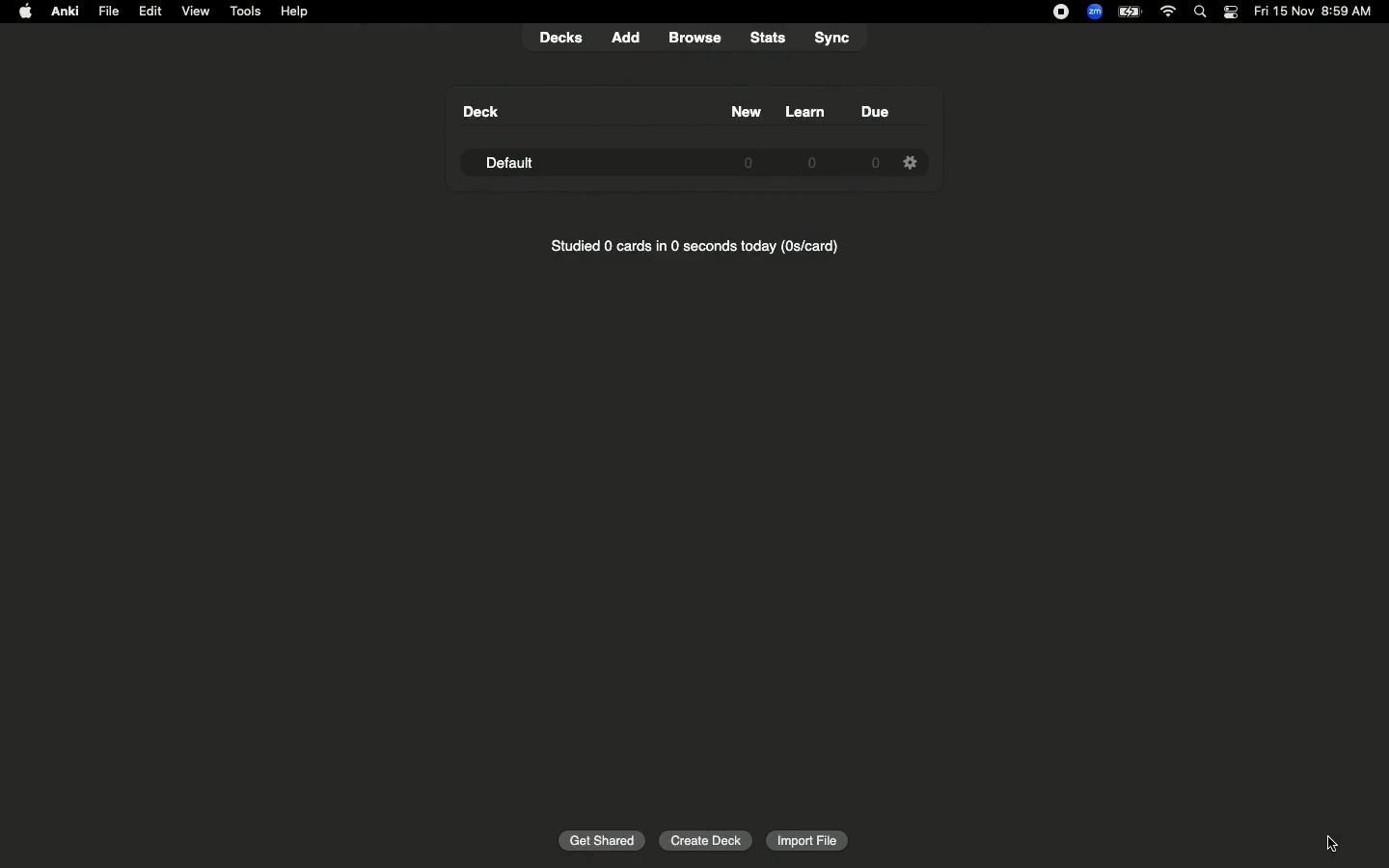 The width and height of the screenshot is (1389, 868). I want to click on 0, so click(747, 164).